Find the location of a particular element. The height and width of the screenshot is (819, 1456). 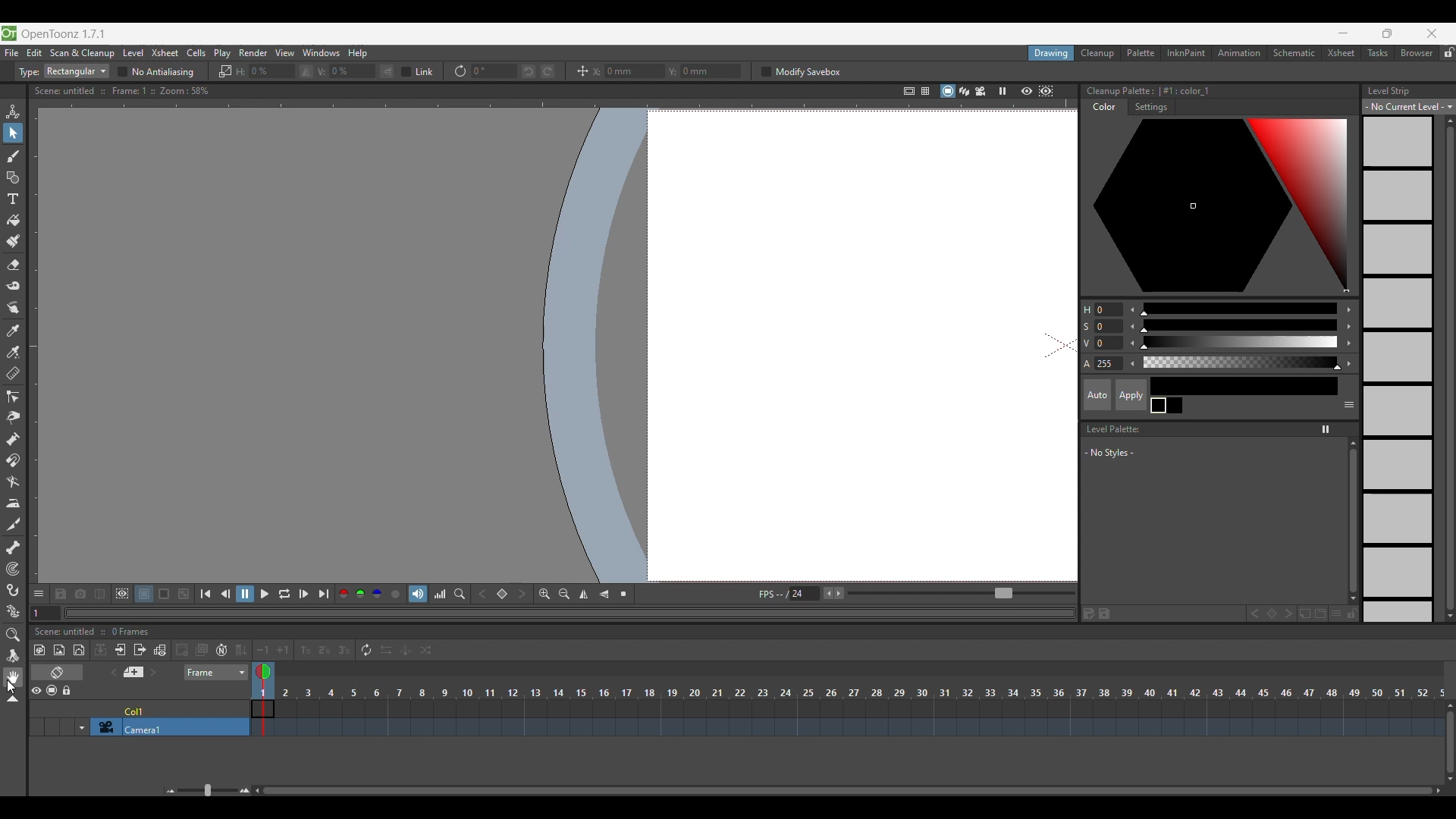

Input degree of rotation manually is located at coordinates (494, 71).